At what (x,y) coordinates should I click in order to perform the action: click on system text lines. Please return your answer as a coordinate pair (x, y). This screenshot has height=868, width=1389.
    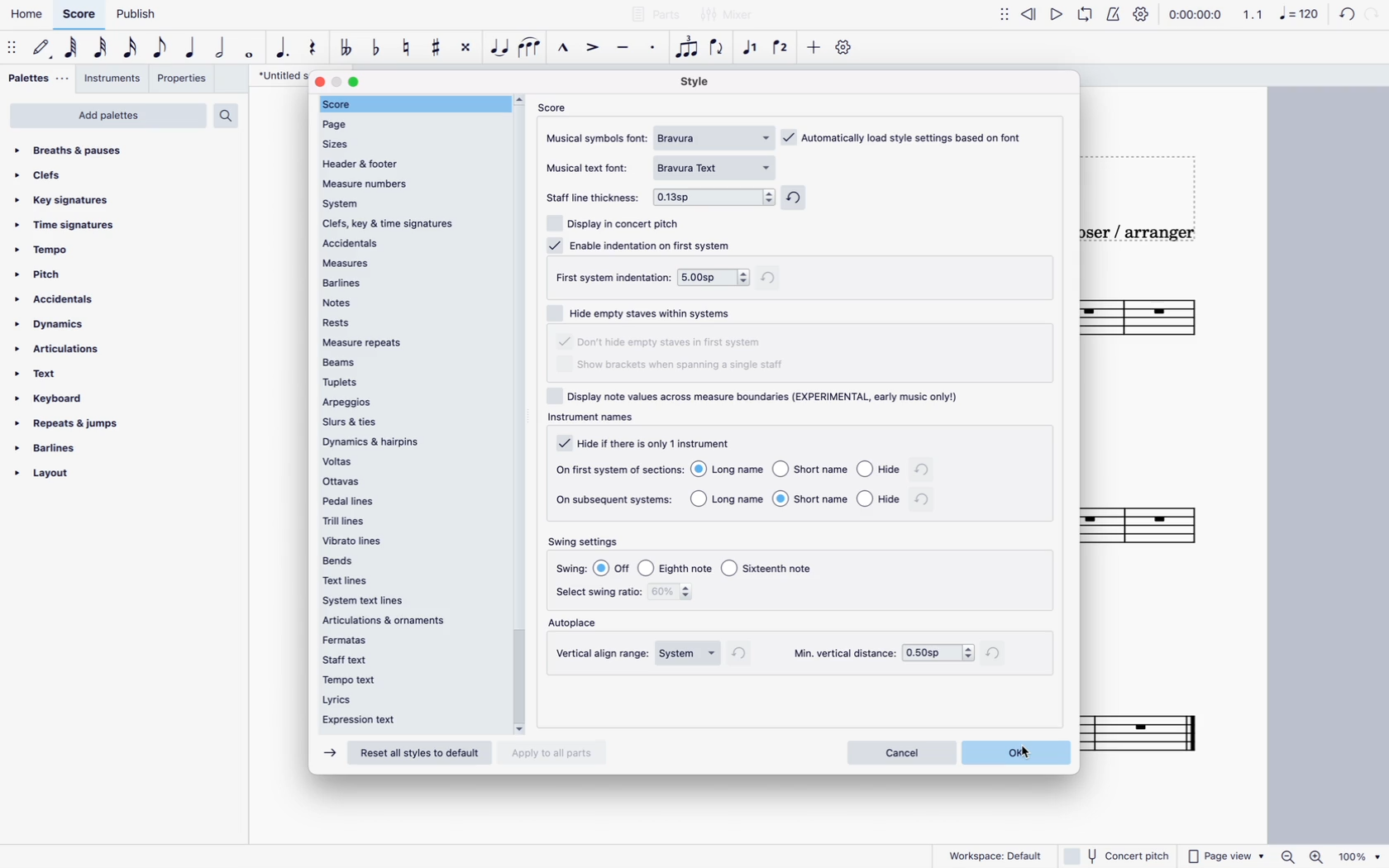
    Looking at the image, I should click on (407, 601).